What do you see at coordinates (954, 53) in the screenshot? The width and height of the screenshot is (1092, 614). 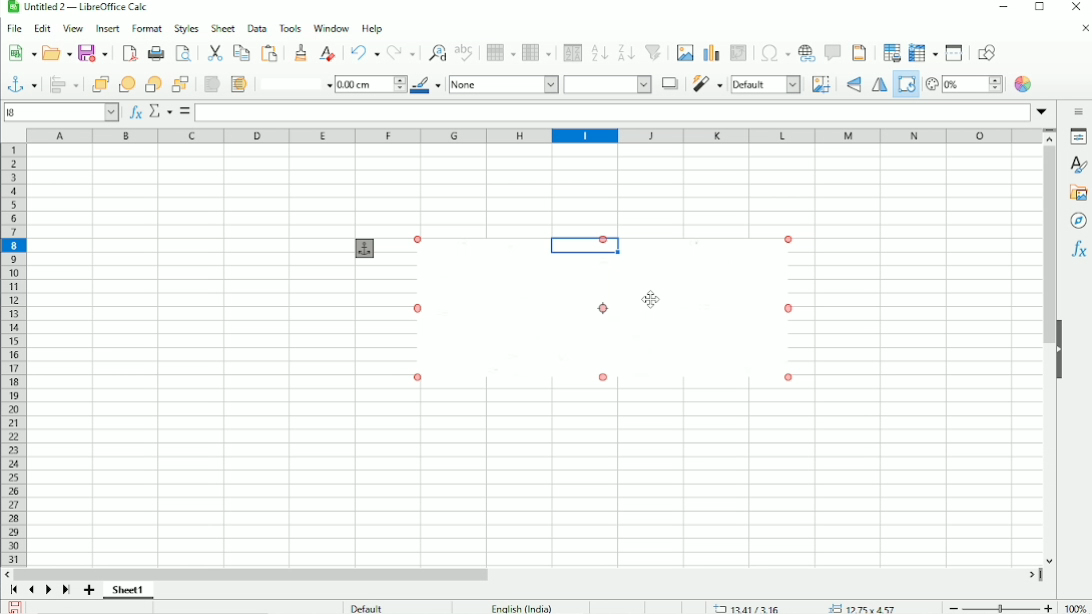 I see `Split window` at bounding box center [954, 53].